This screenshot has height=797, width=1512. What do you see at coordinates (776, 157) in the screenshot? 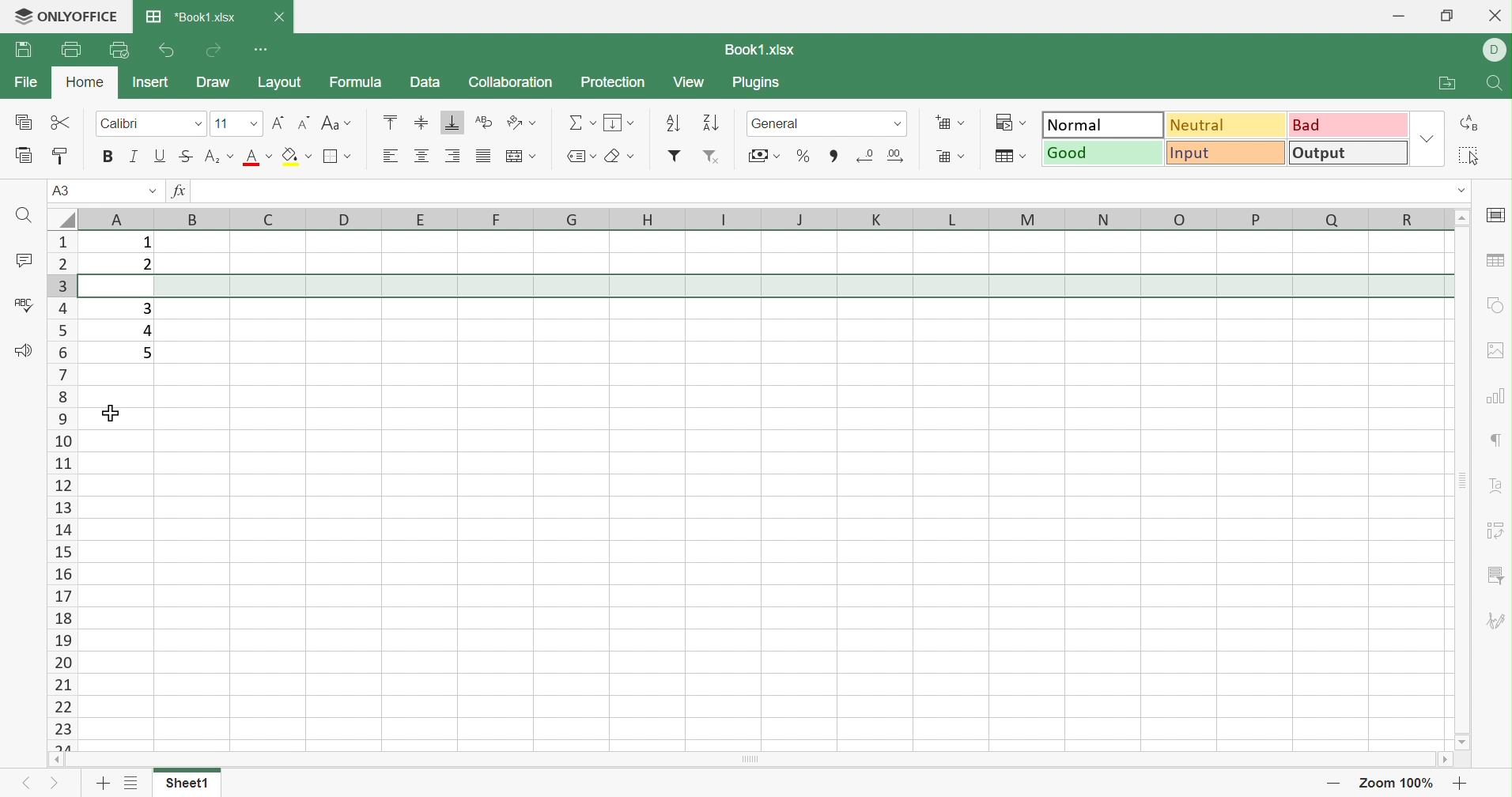
I see `Drop Down` at bounding box center [776, 157].